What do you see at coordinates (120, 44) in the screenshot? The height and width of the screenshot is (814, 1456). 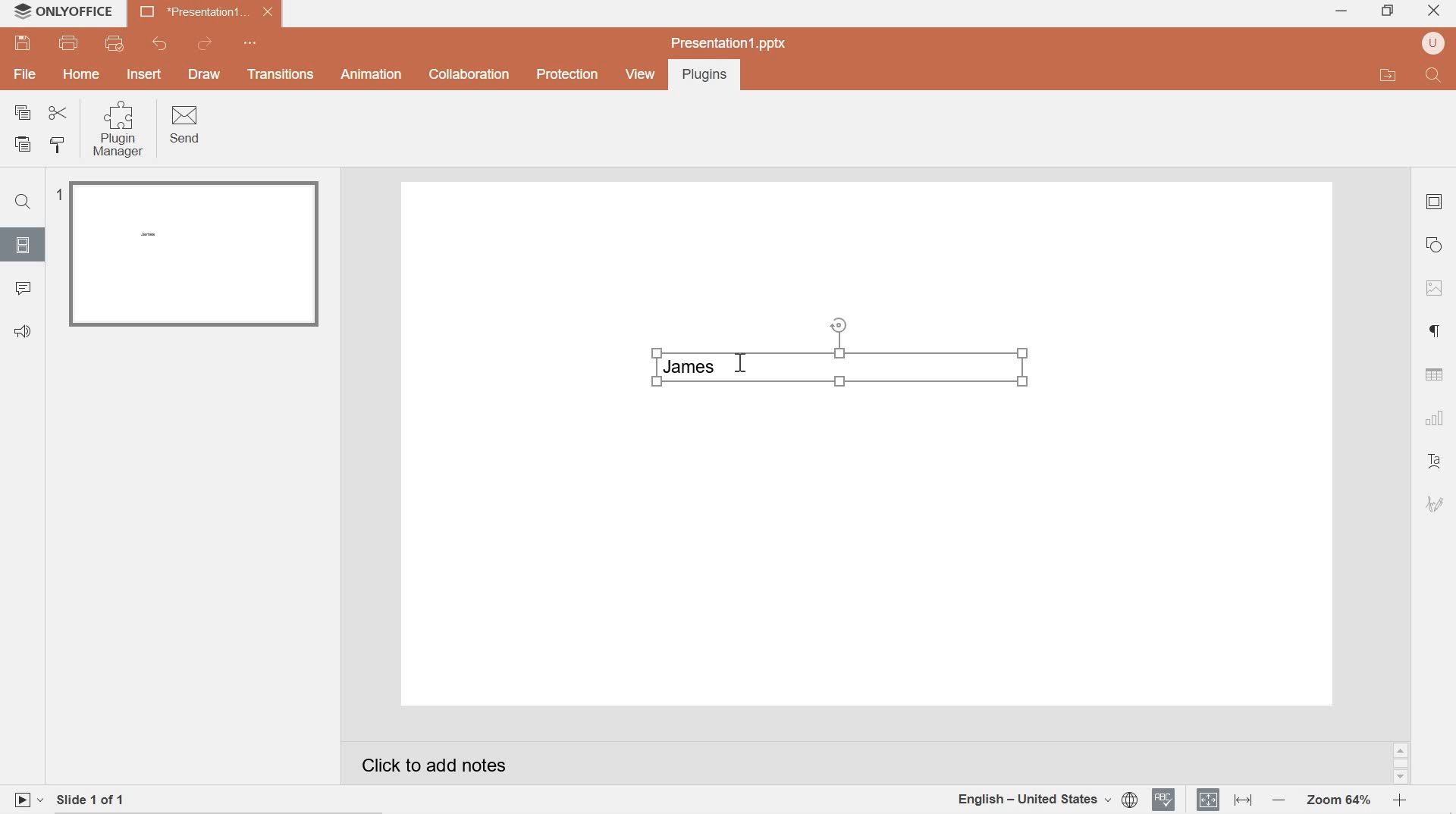 I see `quick print` at bounding box center [120, 44].